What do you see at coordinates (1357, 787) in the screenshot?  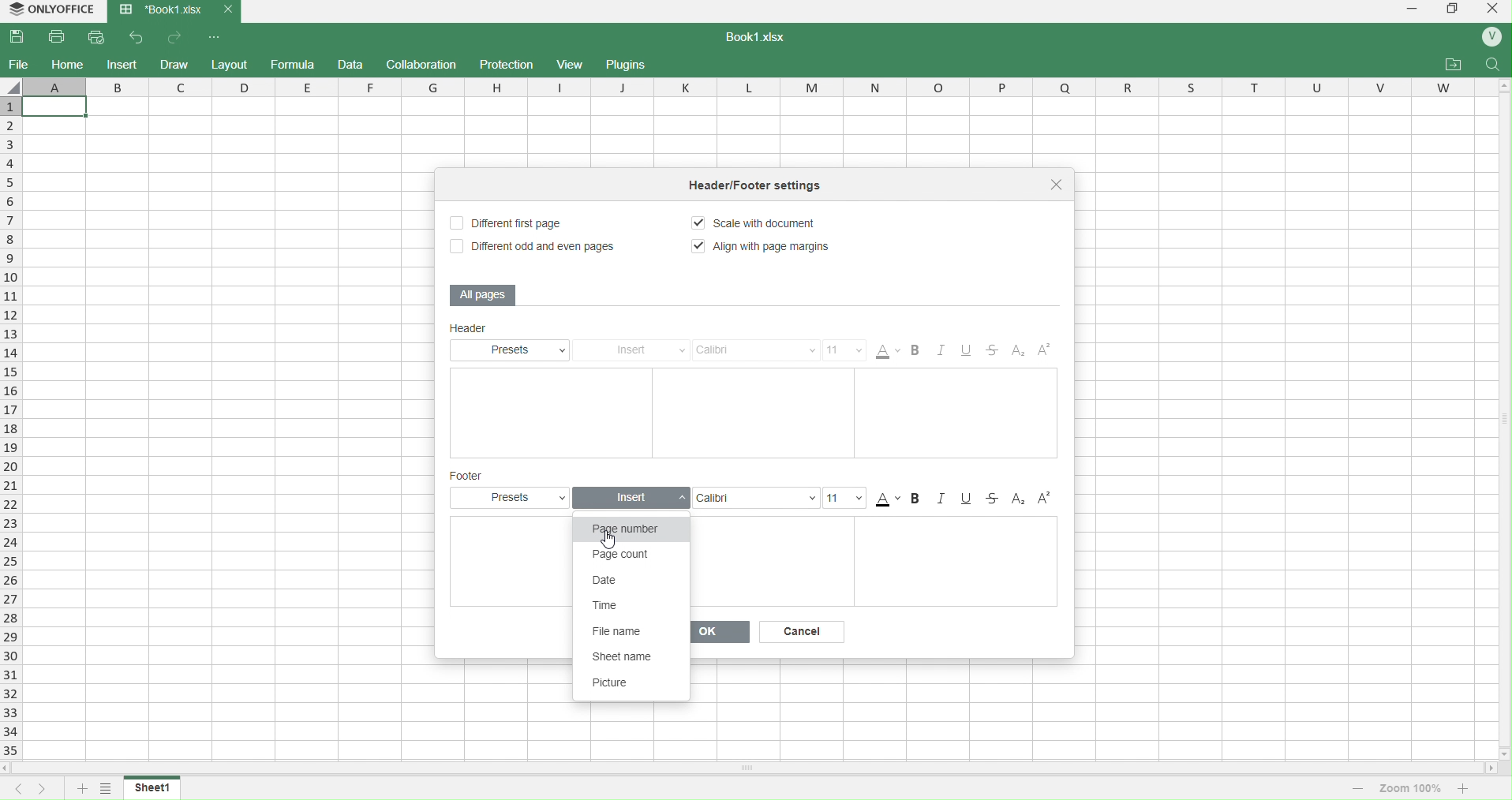 I see `decrease zoom ` at bounding box center [1357, 787].